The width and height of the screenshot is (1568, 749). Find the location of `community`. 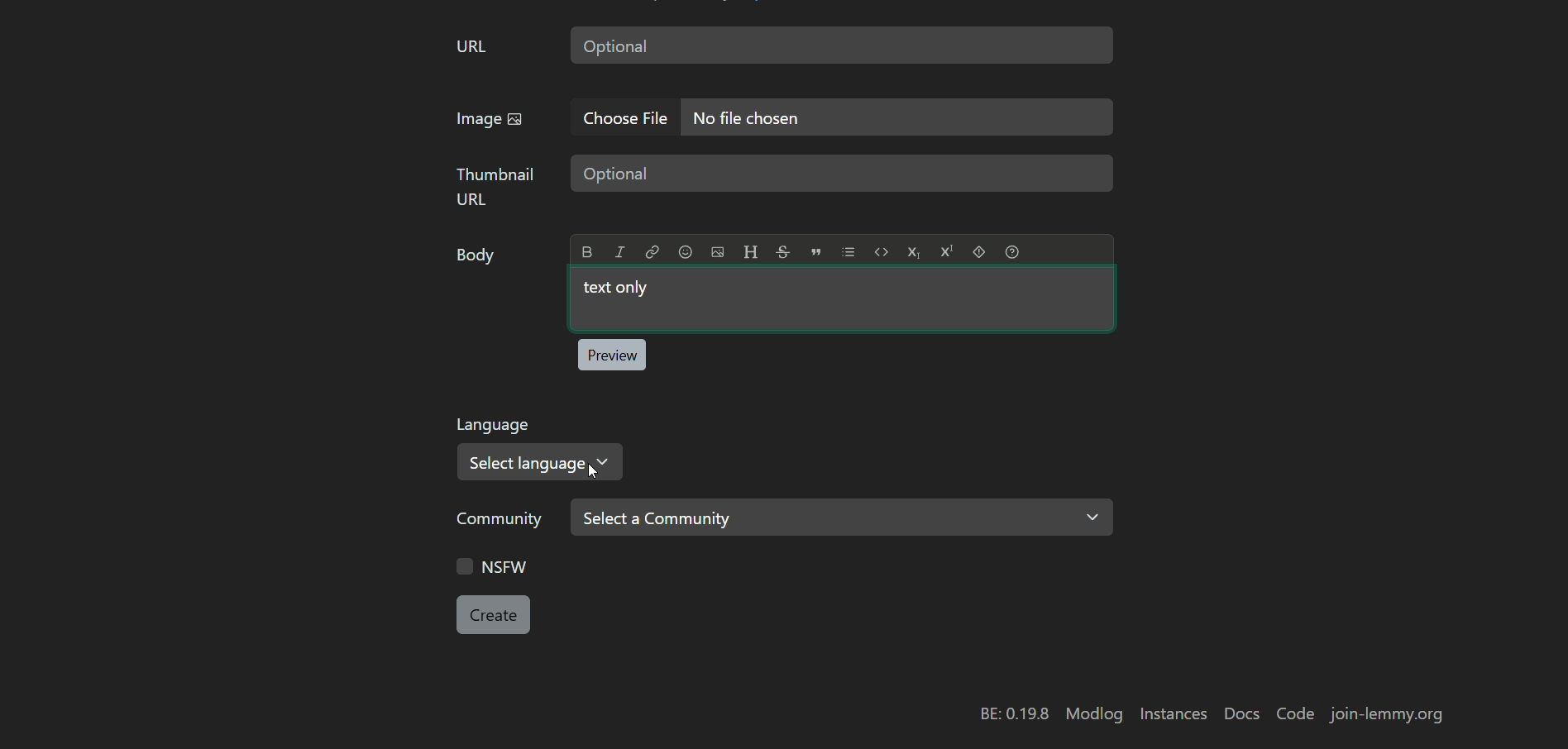

community is located at coordinates (504, 520).